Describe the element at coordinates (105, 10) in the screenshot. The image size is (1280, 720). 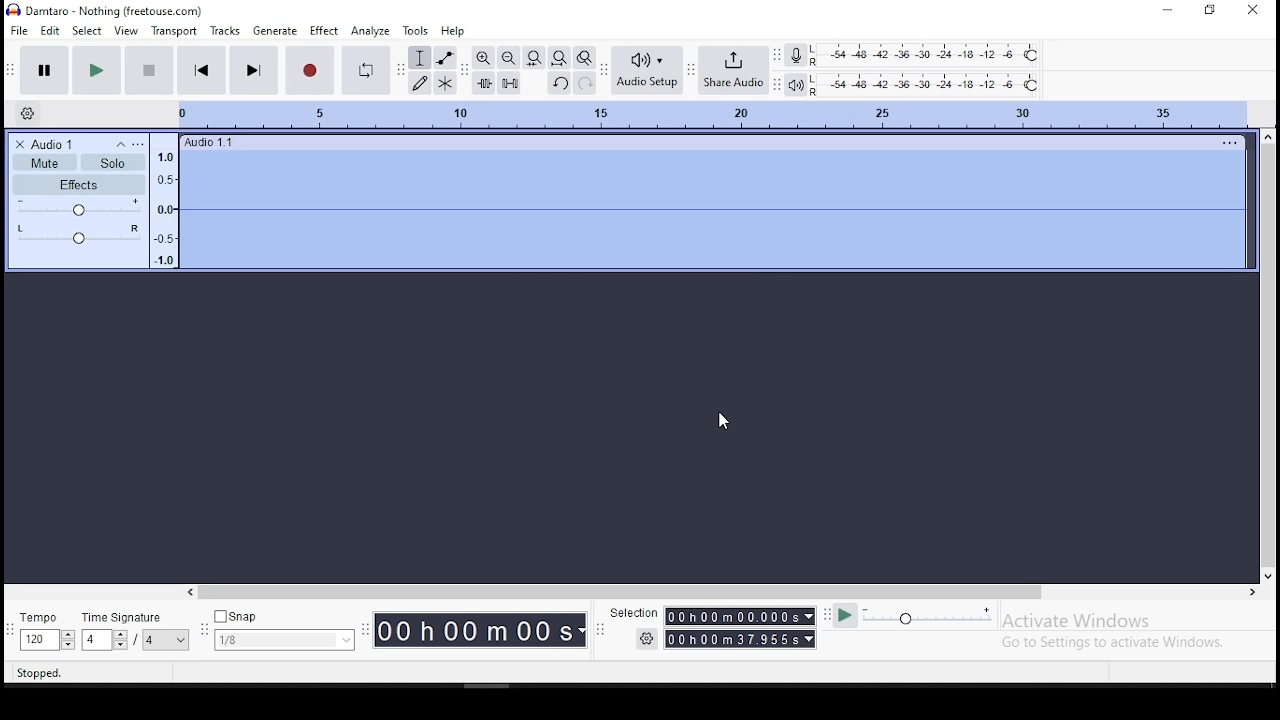
I see `icon and file name` at that location.